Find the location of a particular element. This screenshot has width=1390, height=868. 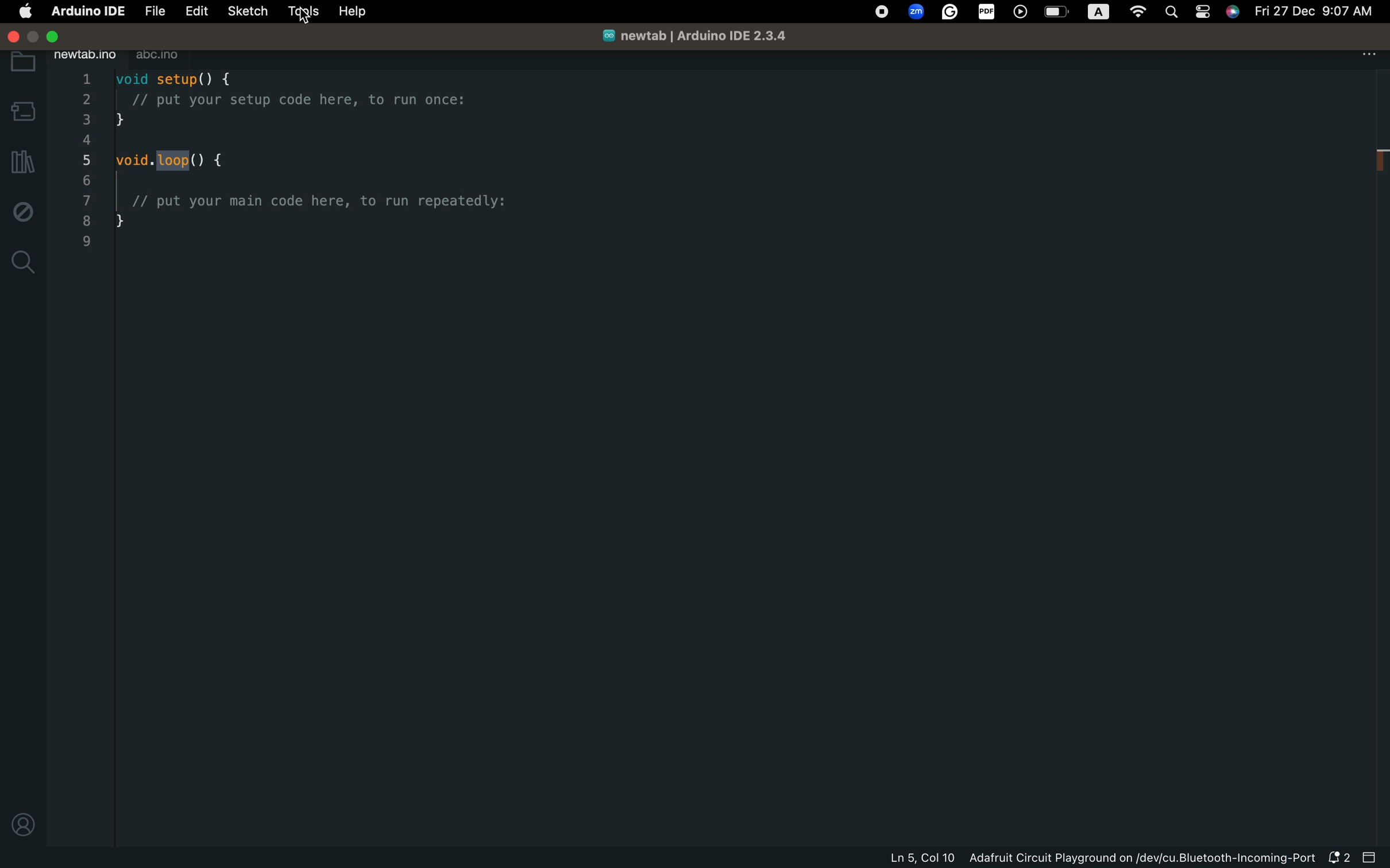

newtab | Arduino IDE 2.3.4 is located at coordinates (701, 37).